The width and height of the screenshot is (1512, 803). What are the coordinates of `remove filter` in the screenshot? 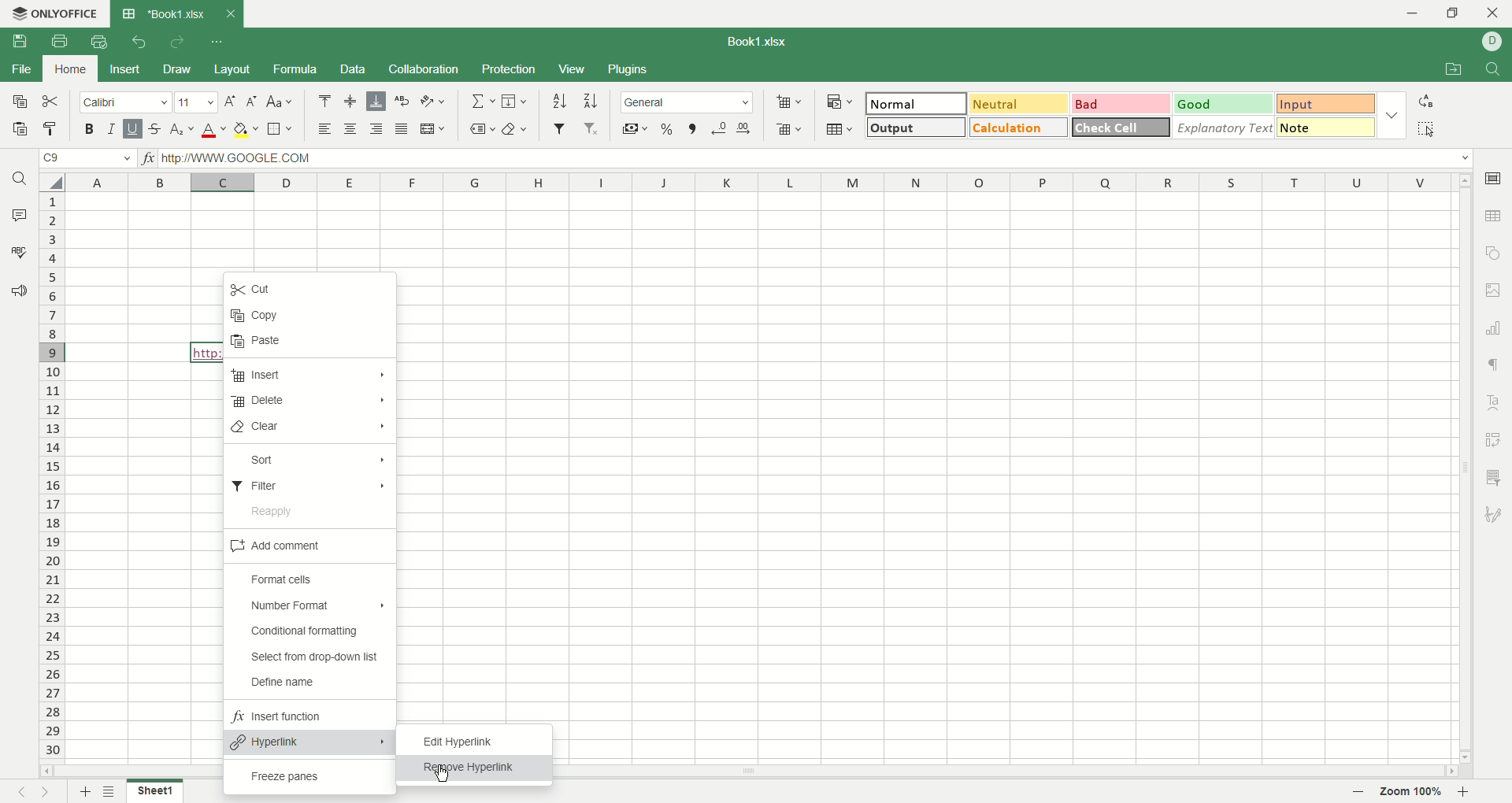 It's located at (589, 128).